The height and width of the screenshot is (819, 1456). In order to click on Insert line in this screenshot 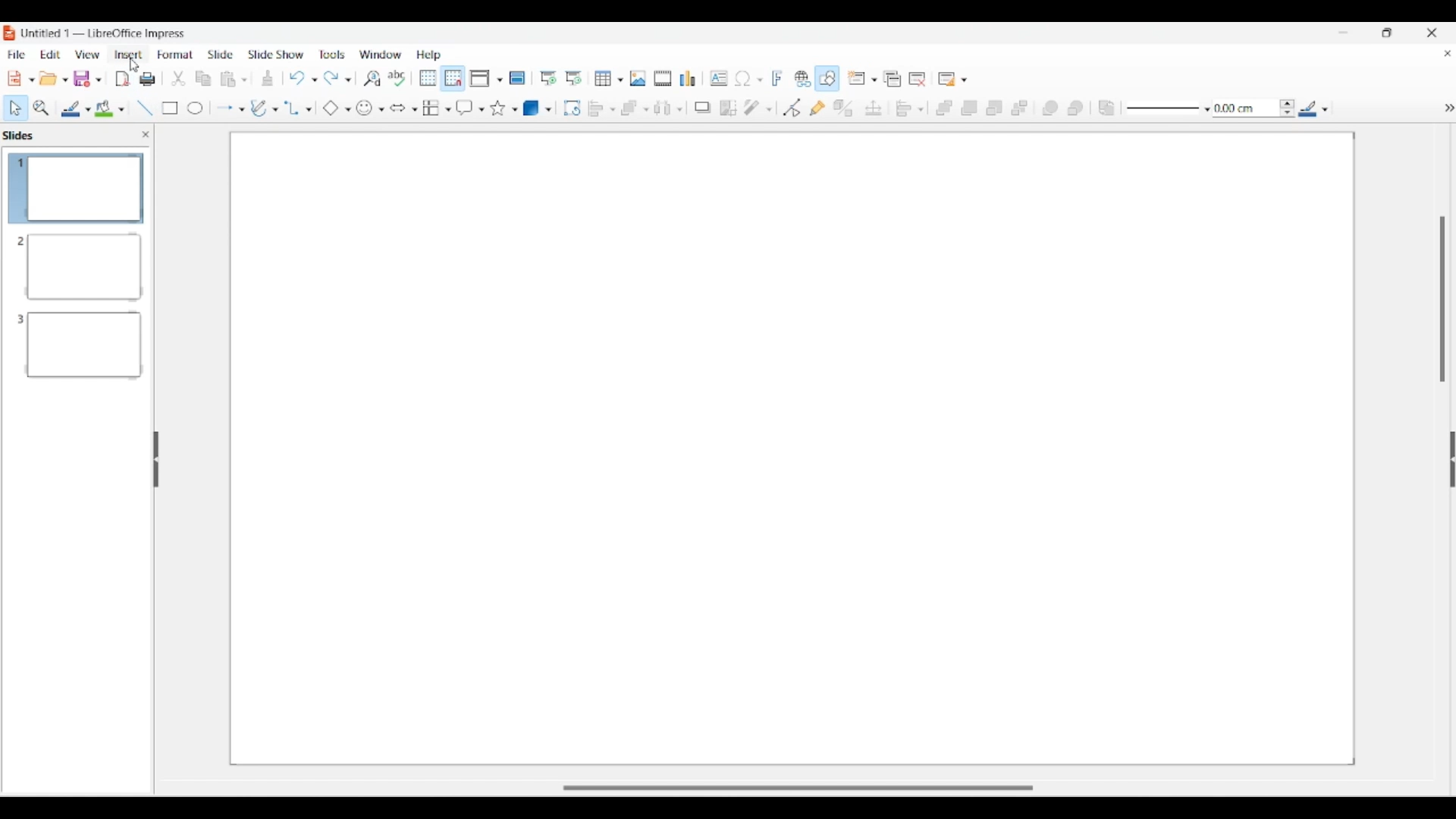, I will do `click(146, 108)`.